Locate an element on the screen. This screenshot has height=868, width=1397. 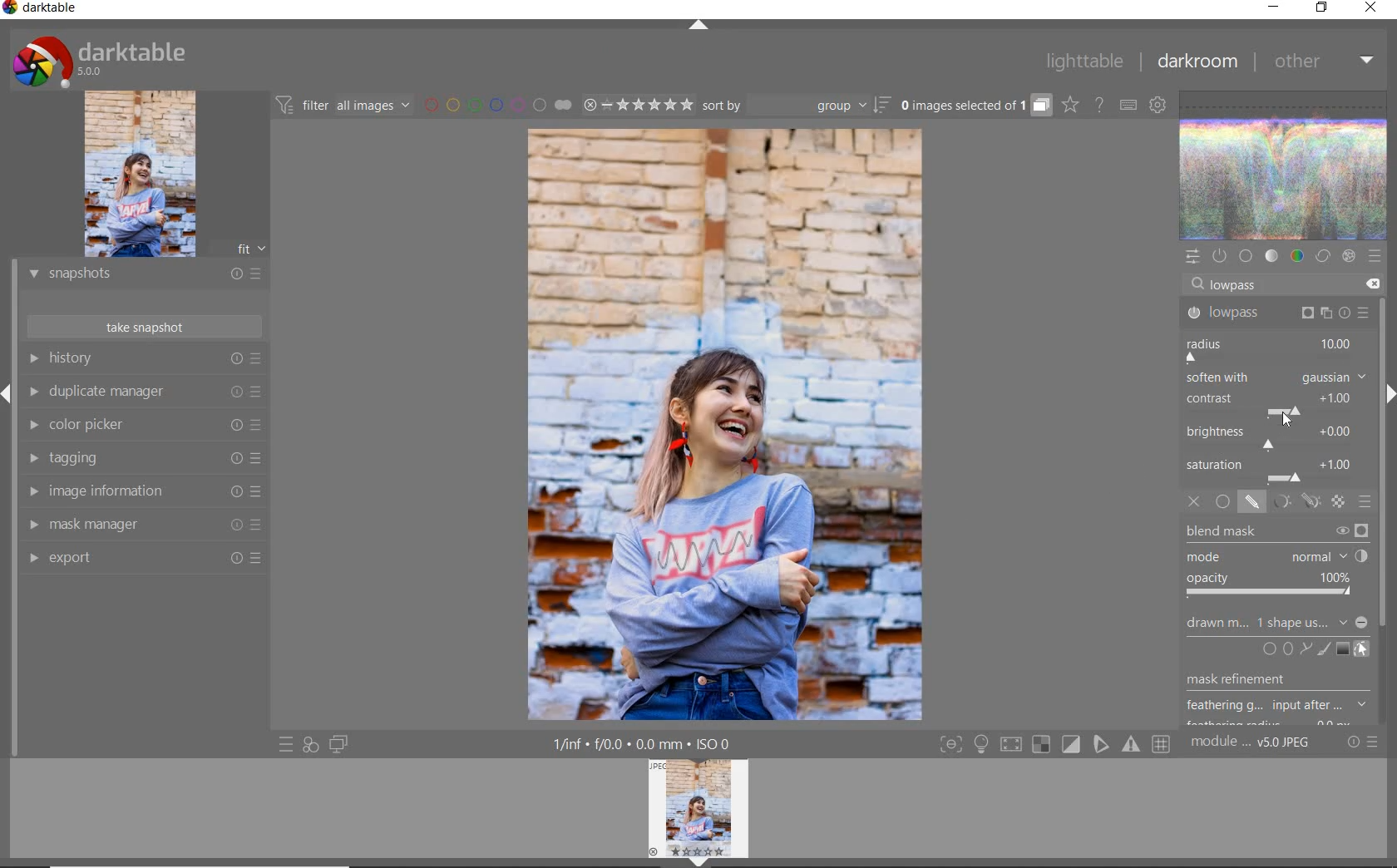
Toggle modes is located at coordinates (1054, 745).